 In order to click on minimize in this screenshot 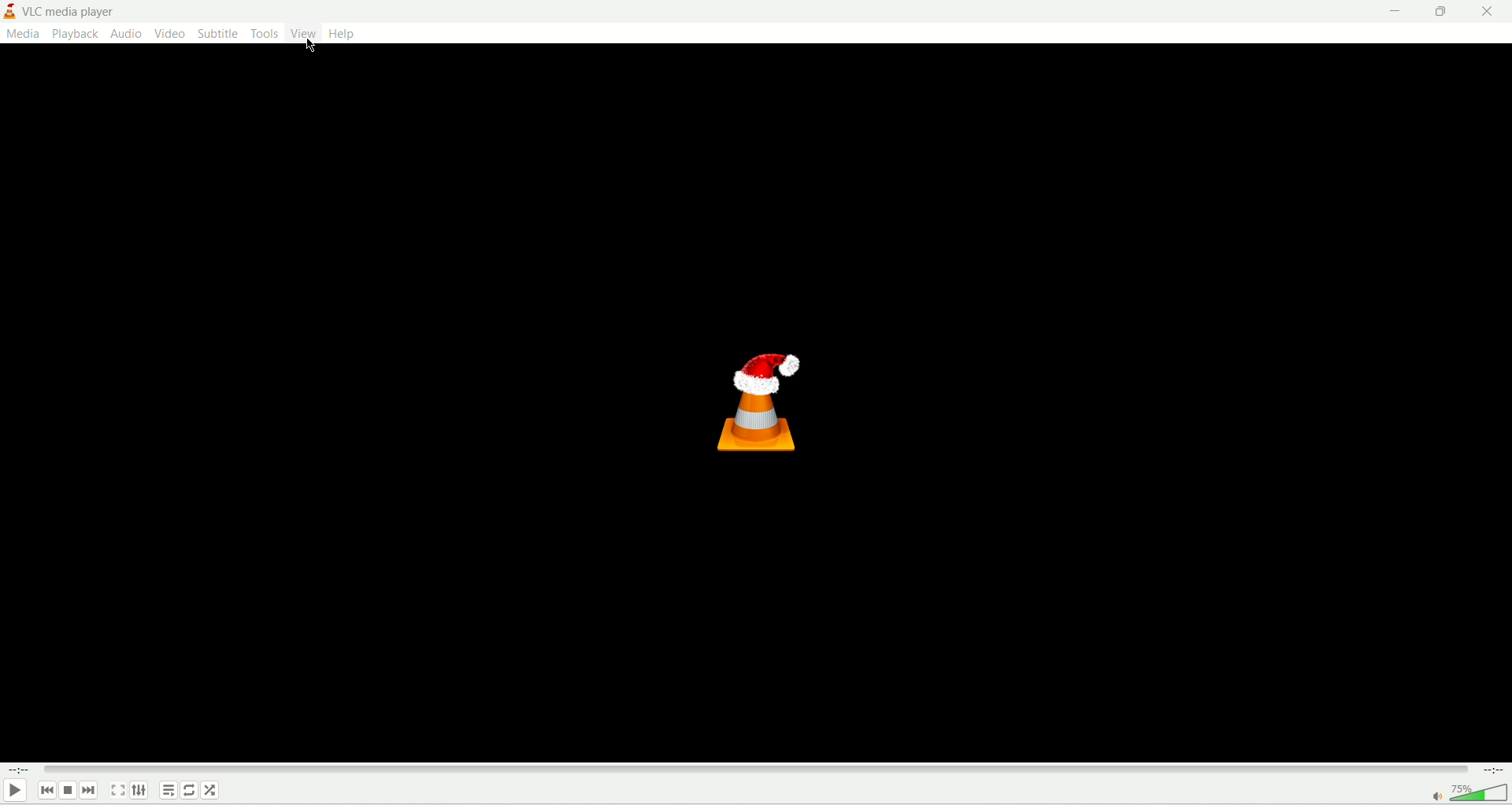, I will do `click(1395, 13)`.